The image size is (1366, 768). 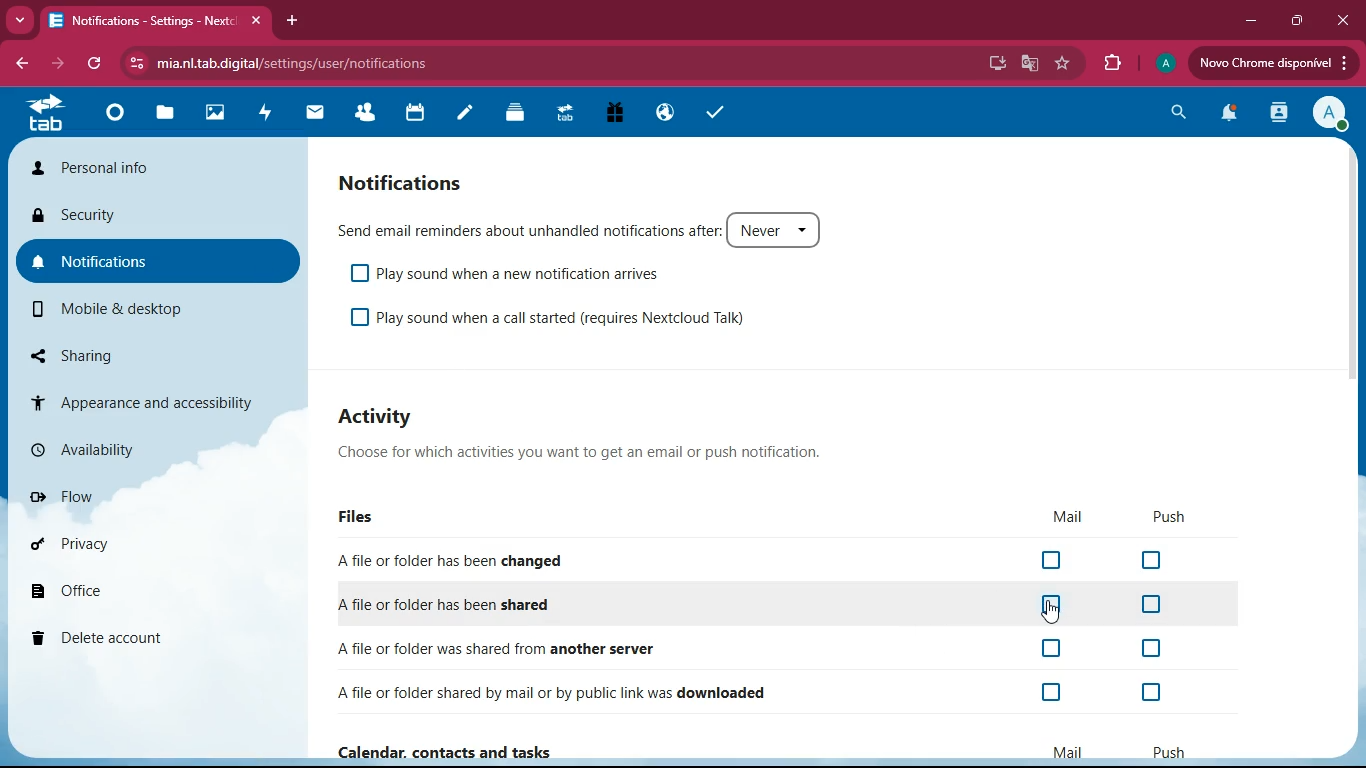 I want to click on off, so click(x=1054, y=560).